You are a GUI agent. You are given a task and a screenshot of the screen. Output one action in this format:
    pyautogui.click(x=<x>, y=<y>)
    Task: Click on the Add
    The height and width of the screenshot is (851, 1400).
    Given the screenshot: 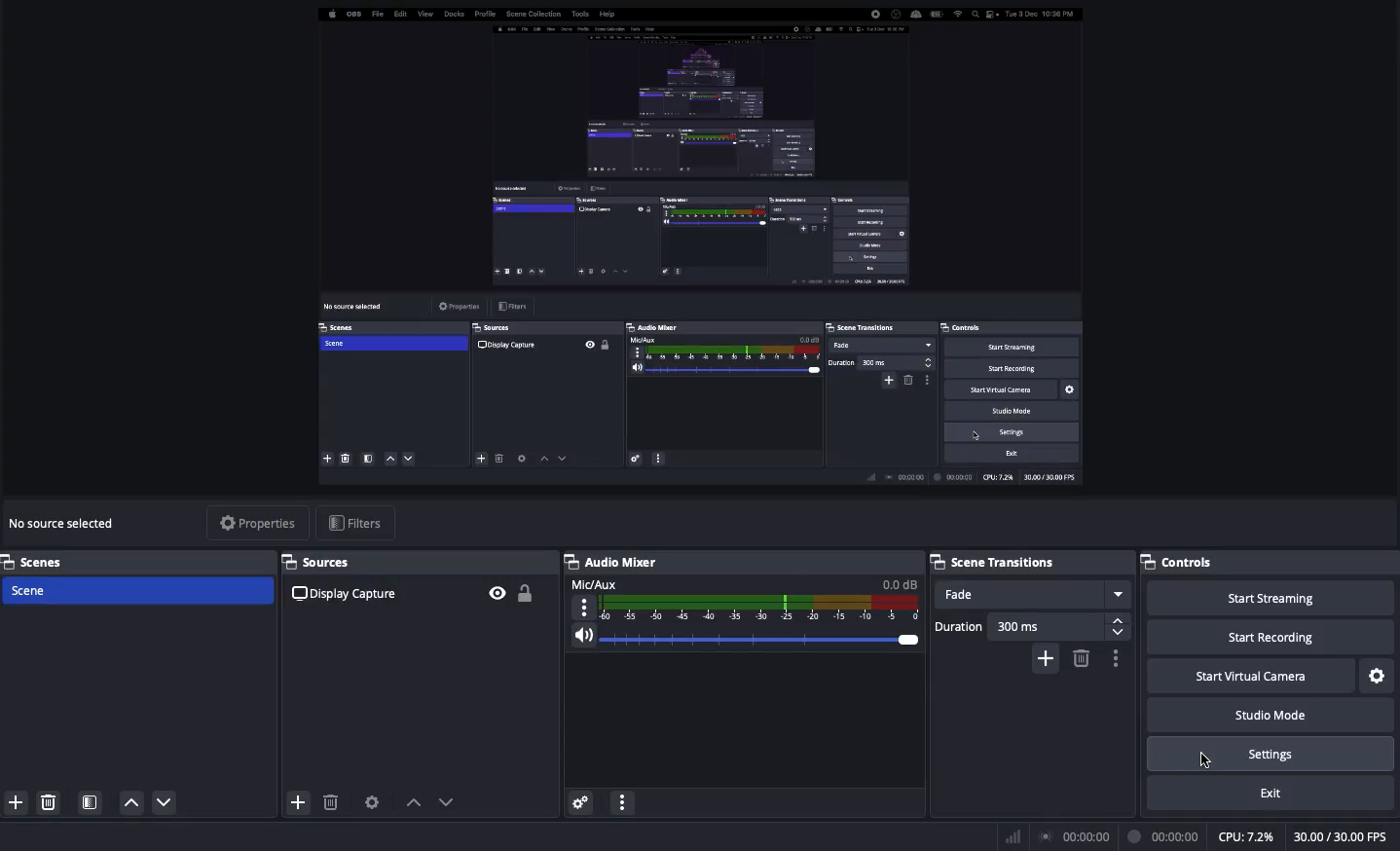 What is the action you would take?
    pyautogui.click(x=13, y=800)
    